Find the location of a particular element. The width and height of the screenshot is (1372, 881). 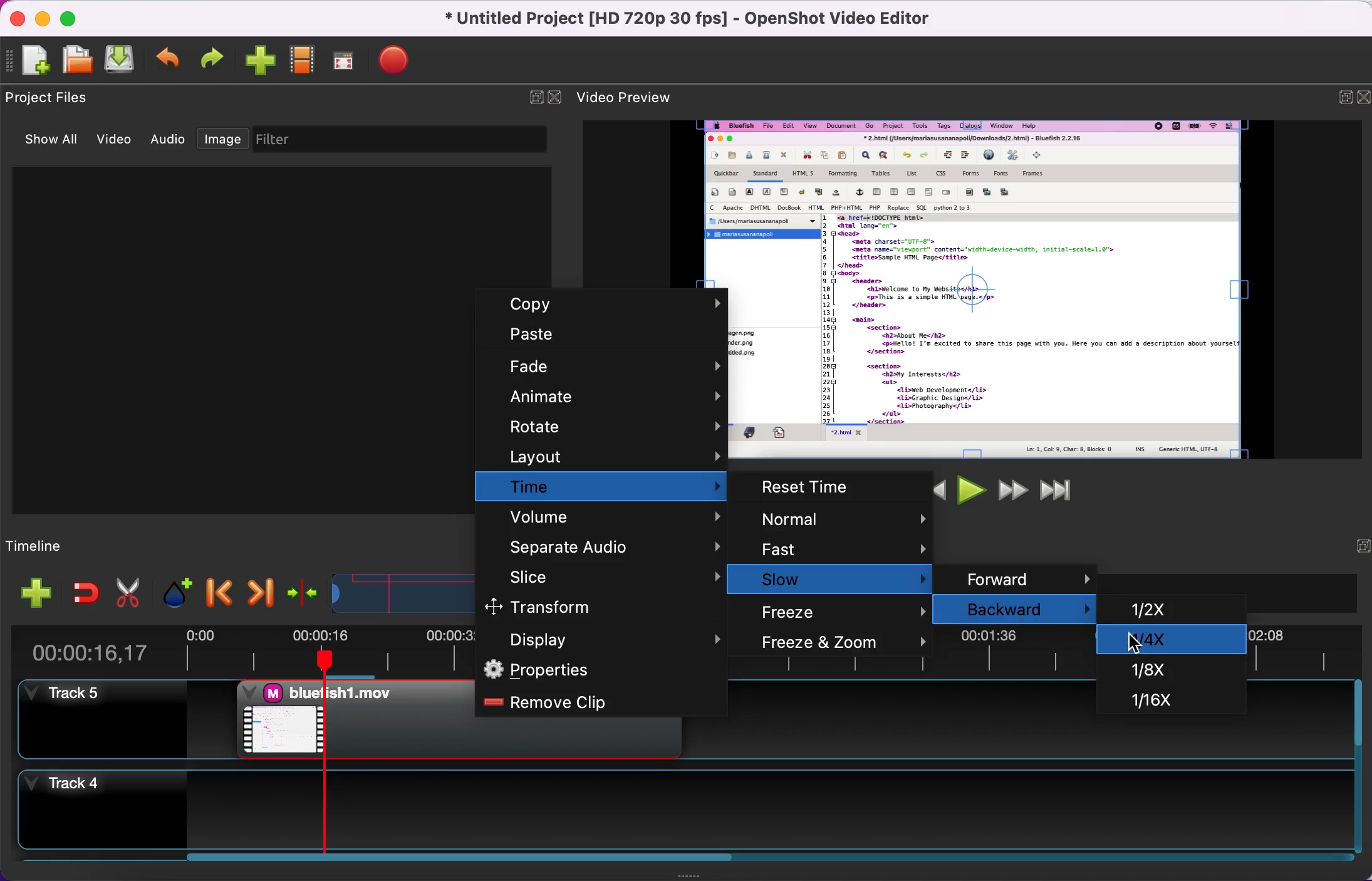

audio is located at coordinates (169, 141).